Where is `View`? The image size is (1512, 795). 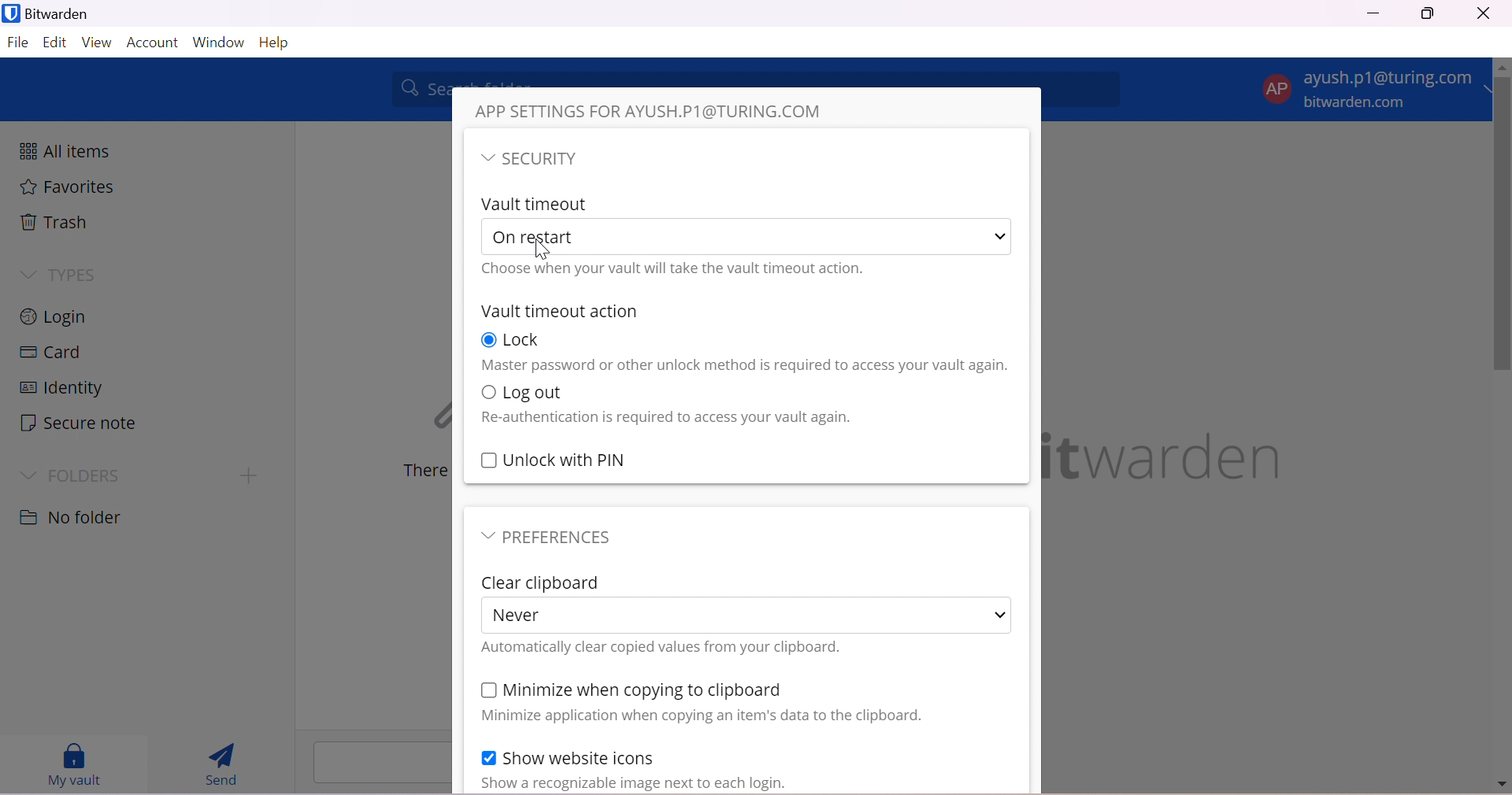
View is located at coordinates (98, 43).